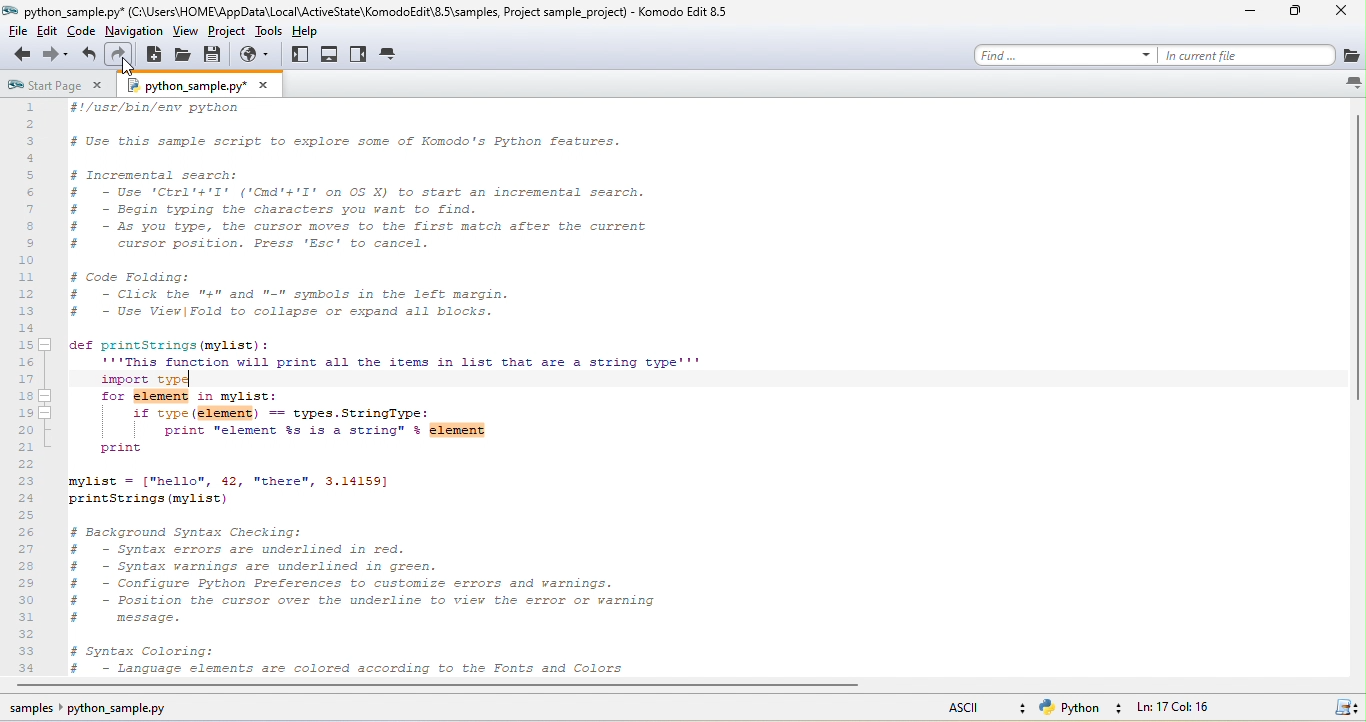  Describe the element at coordinates (131, 72) in the screenshot. I see `cursor movement` at that location.